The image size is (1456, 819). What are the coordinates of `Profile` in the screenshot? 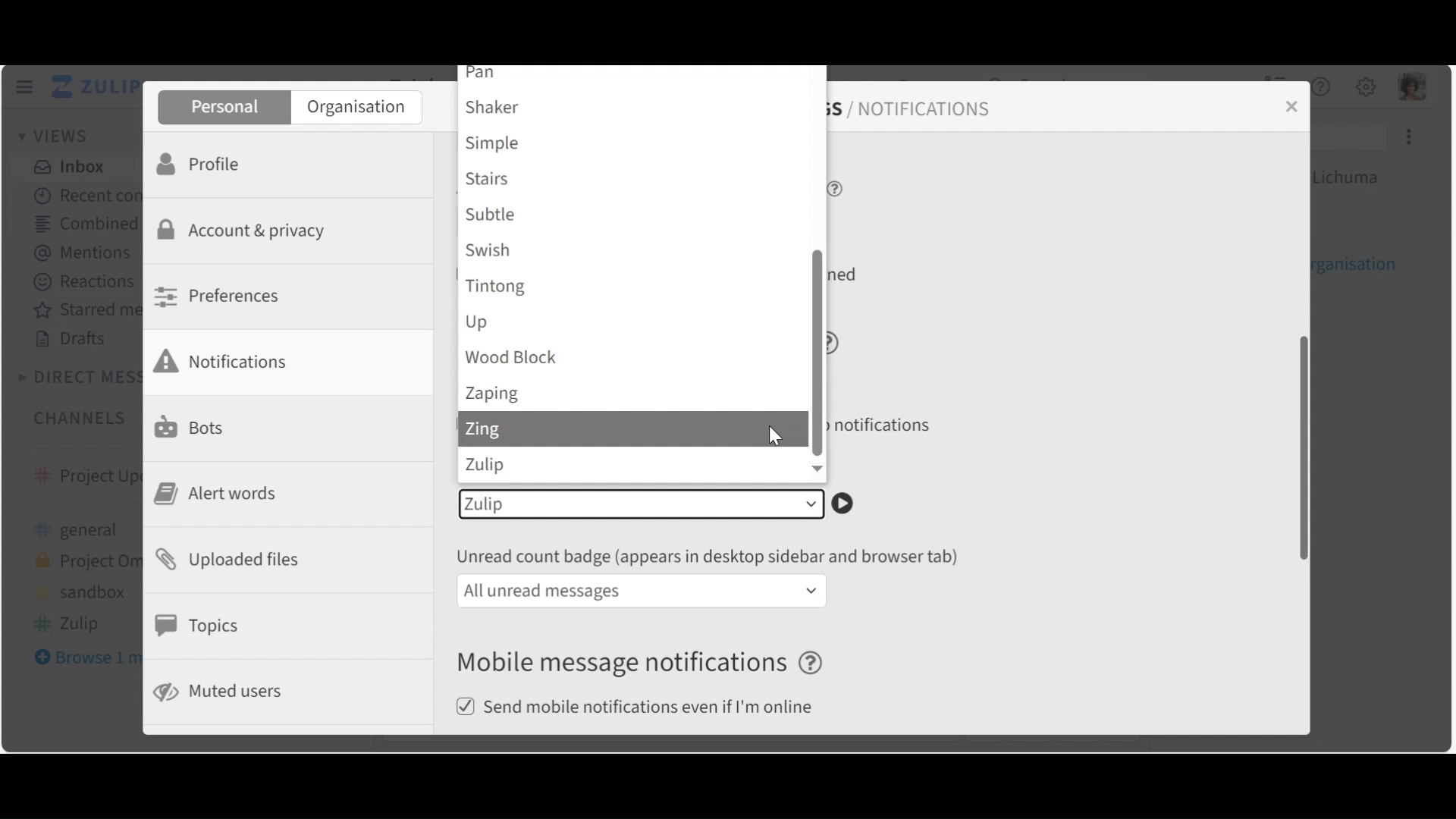 It's located at (204, 162).